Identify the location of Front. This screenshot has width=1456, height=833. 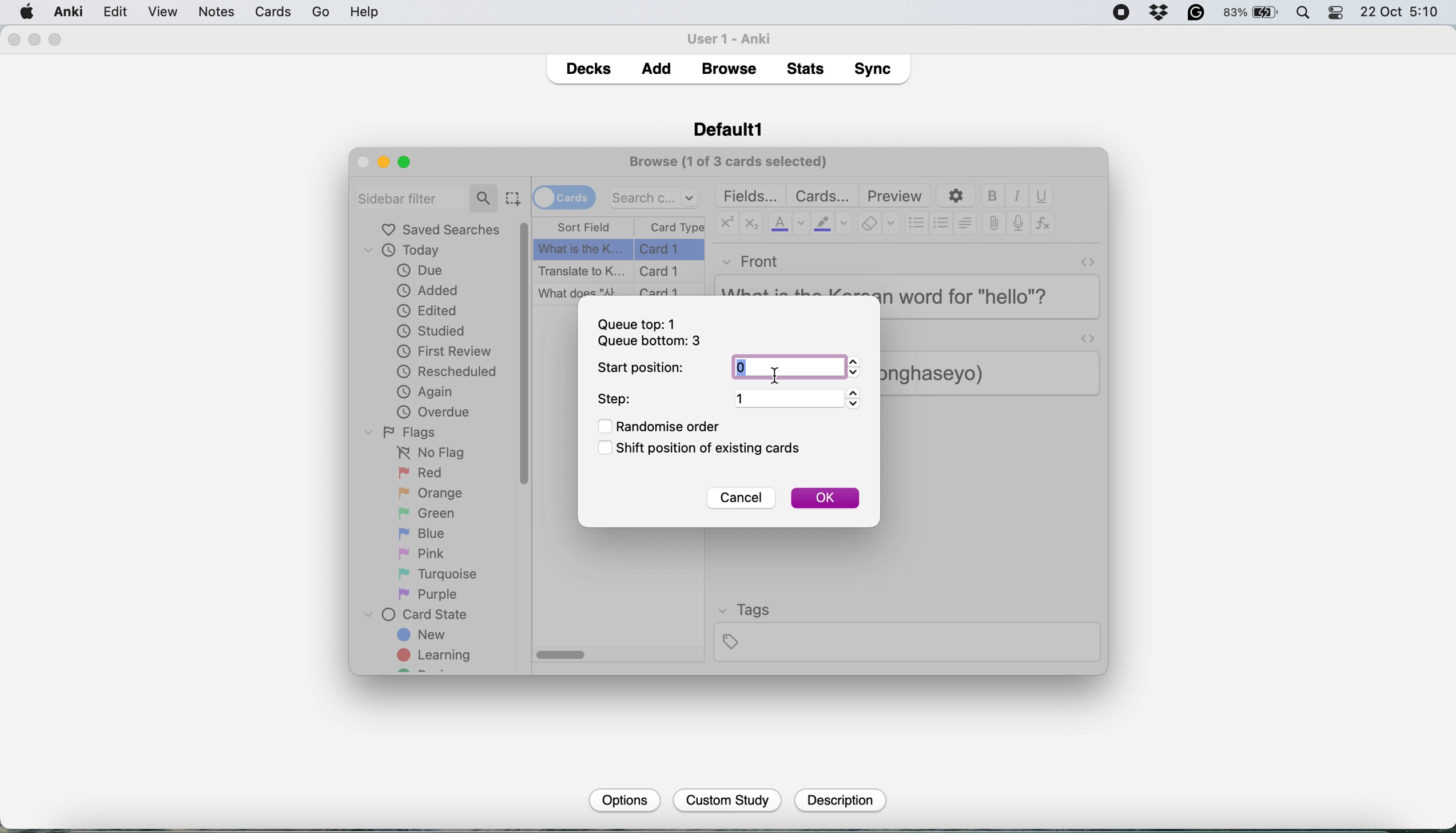
(751, 259).